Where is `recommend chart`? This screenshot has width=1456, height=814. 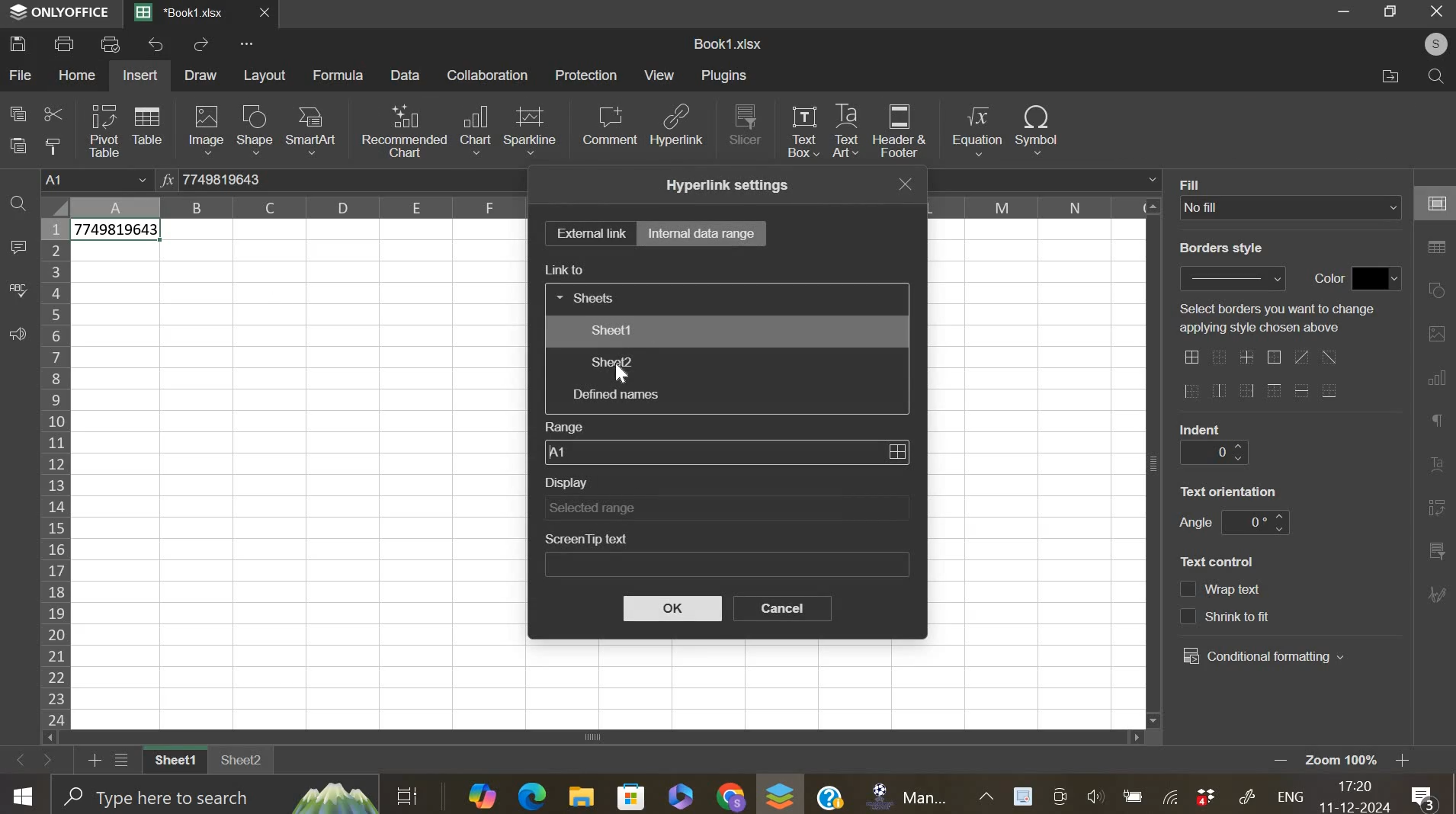 recommend chart is located at coordinates (405, 130).